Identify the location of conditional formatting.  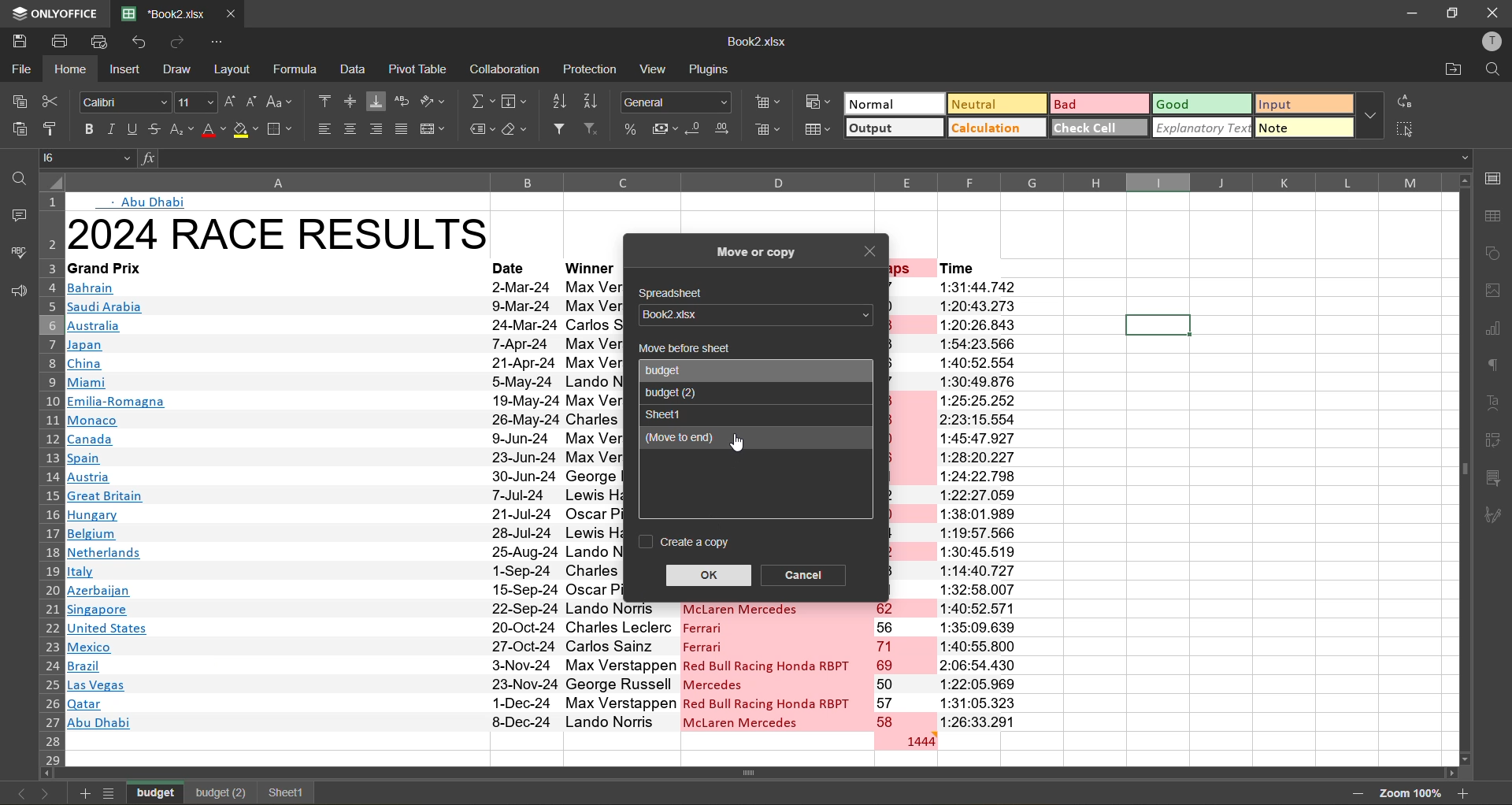
(817, 101).